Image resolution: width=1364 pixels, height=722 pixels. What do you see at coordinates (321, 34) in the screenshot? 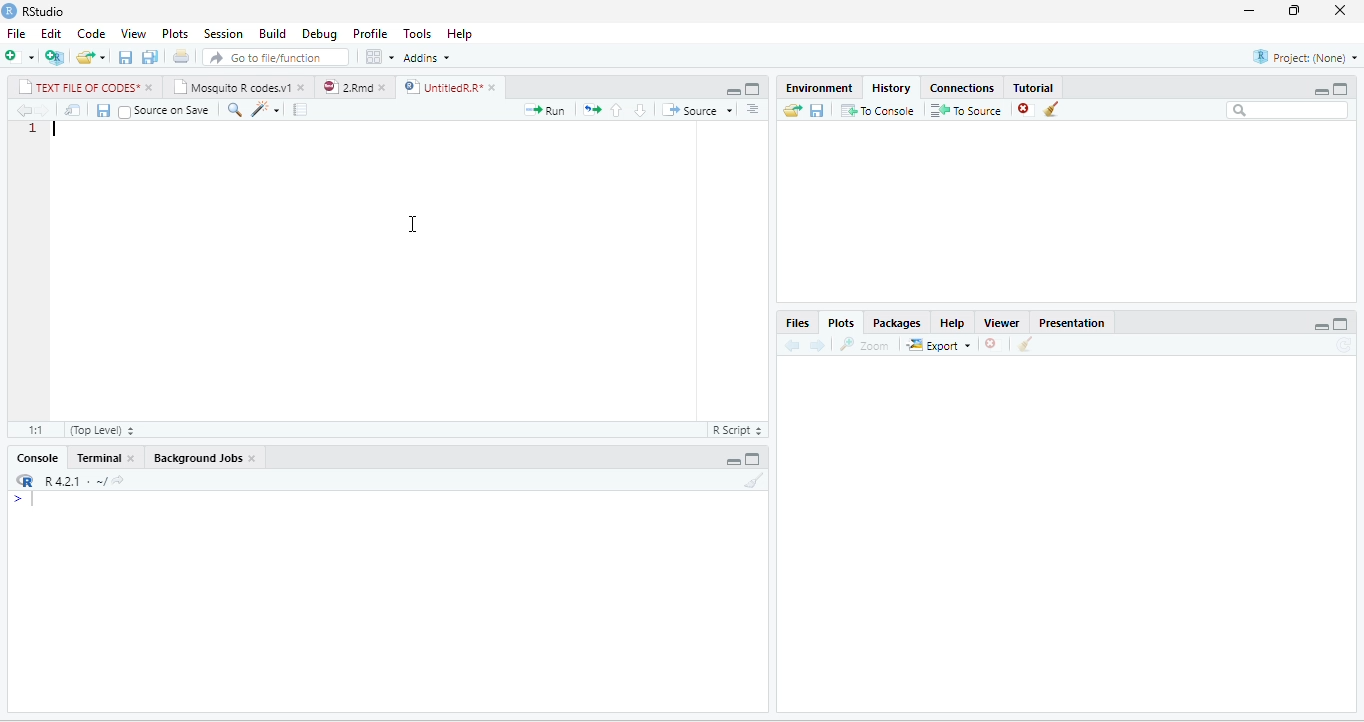
I see `Debug` at bounding box center [321, 34].